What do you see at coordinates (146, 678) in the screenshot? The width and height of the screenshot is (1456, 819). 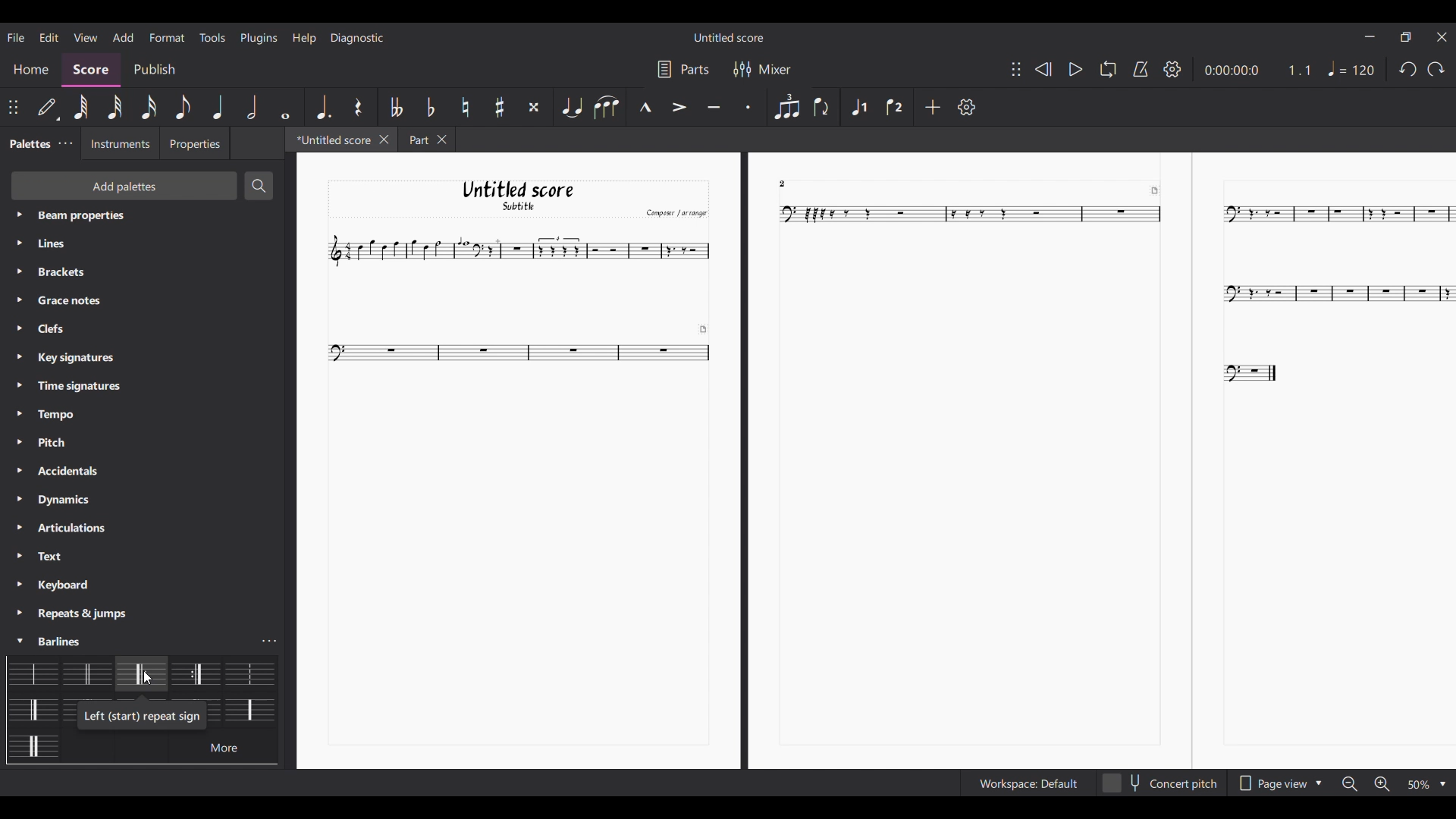 I see `cursor` at bounding box center [146, 678].